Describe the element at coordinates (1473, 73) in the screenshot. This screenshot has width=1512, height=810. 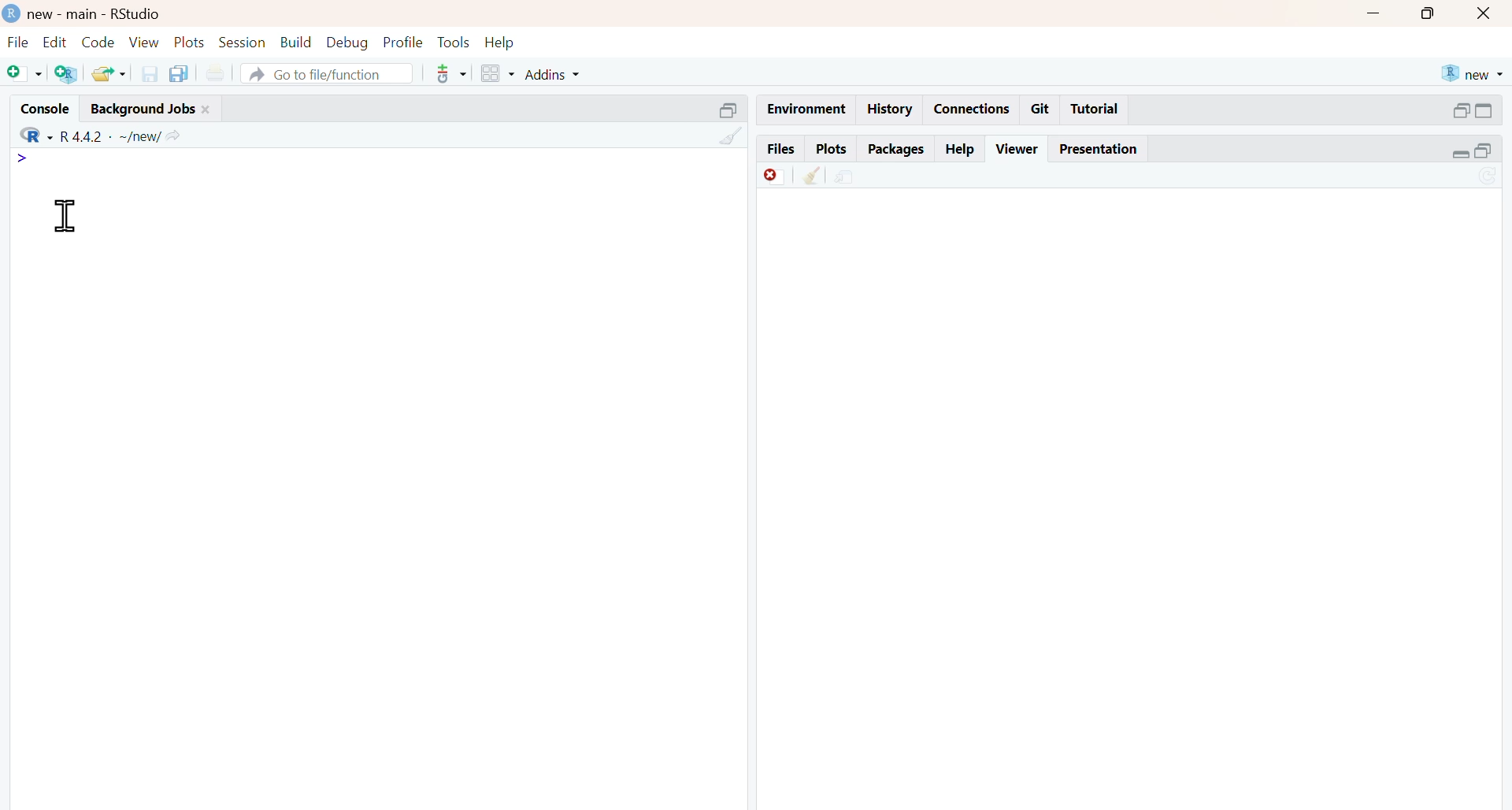
I see `new` at that location.